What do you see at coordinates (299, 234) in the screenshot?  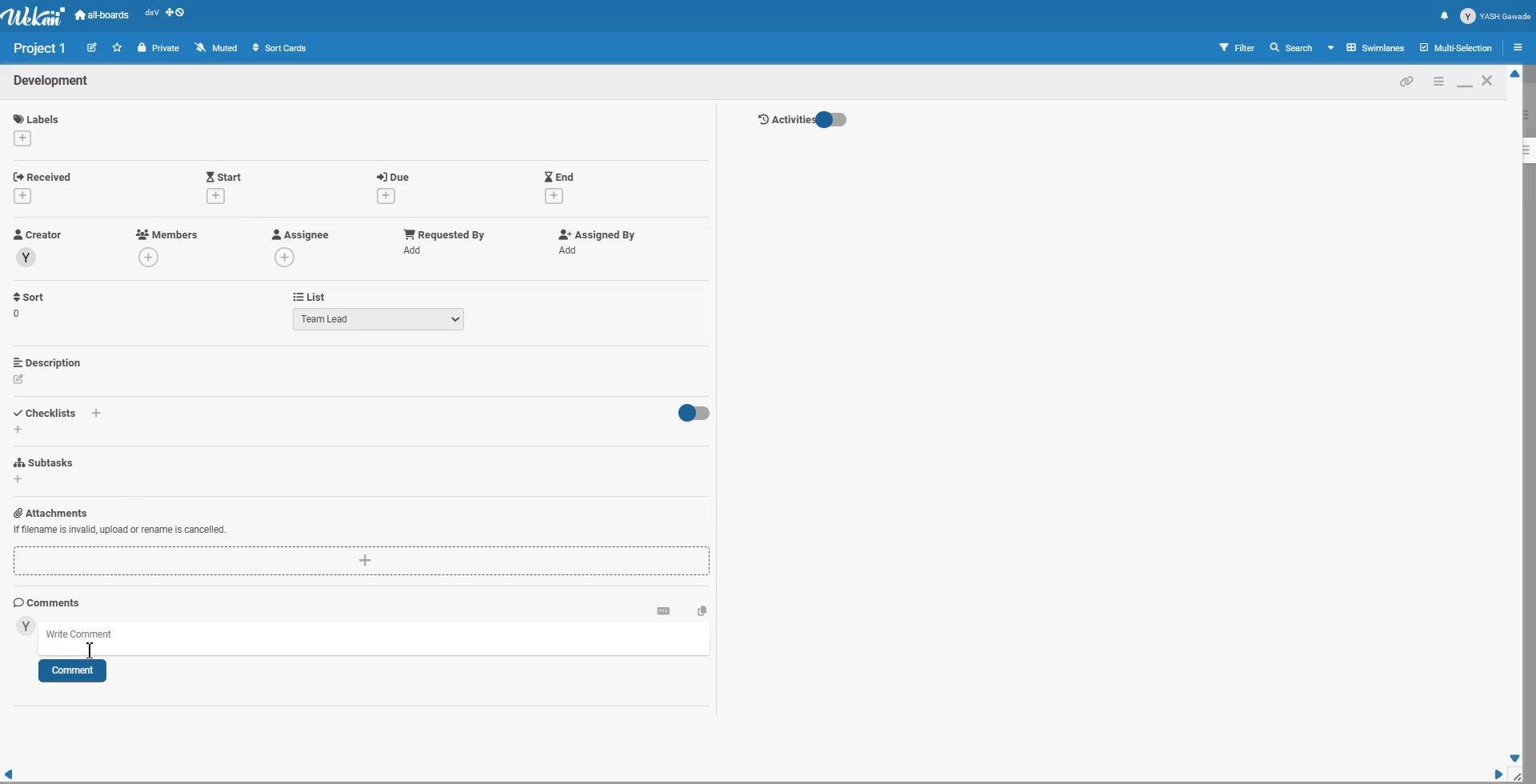 I see `Add Assignee` at bounding box center [299, 234].